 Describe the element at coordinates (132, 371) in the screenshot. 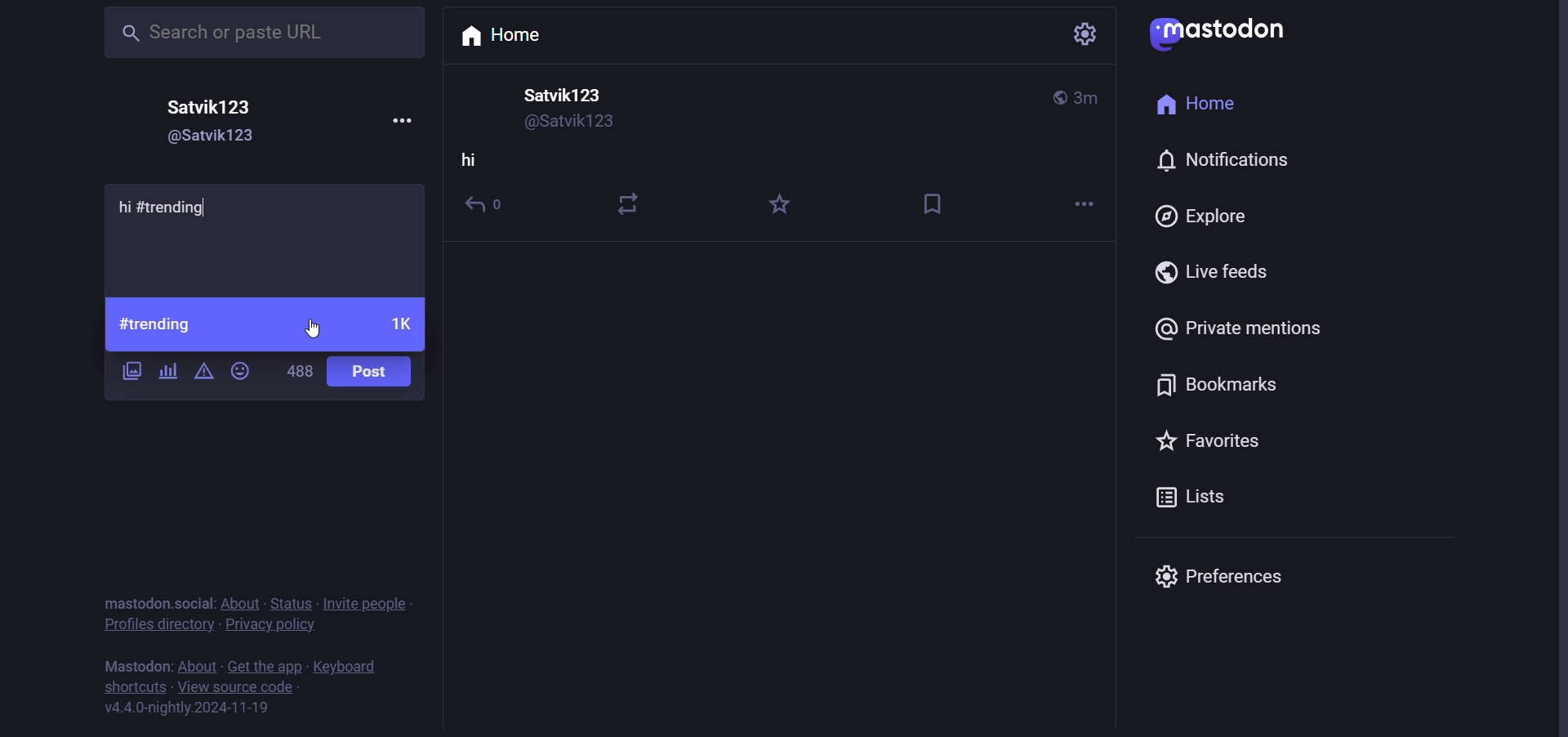

I see `image/video` at that location.